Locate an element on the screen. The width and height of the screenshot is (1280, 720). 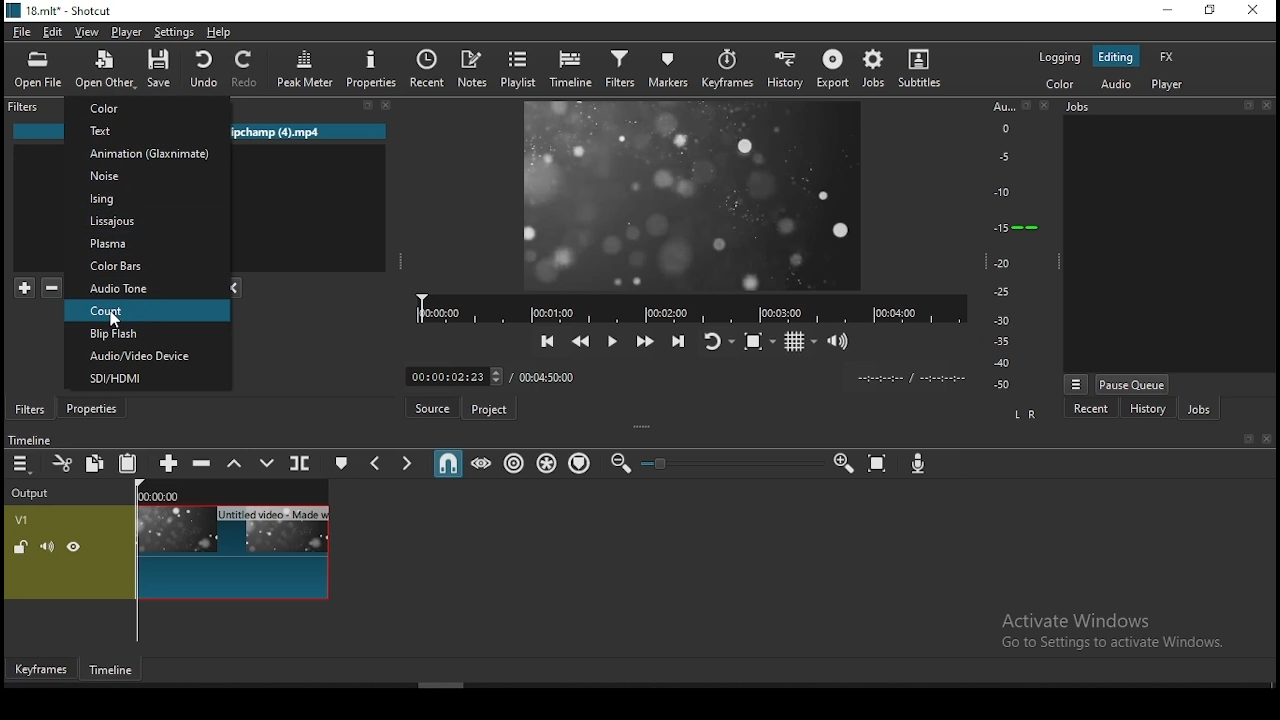
show video volume control is located at coordinates (841, 342).